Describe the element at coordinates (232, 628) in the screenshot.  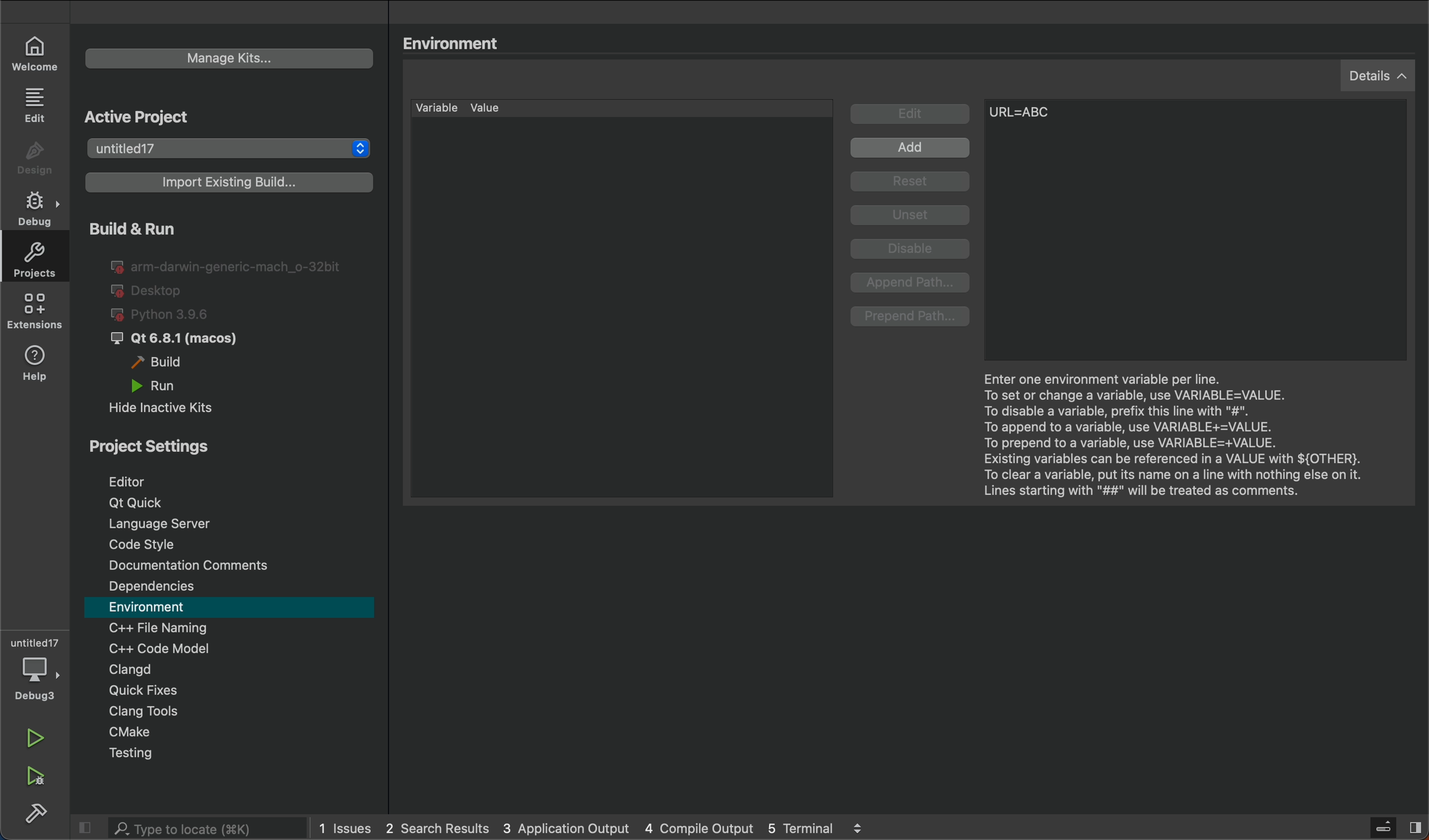
I see `file naming` at that location.